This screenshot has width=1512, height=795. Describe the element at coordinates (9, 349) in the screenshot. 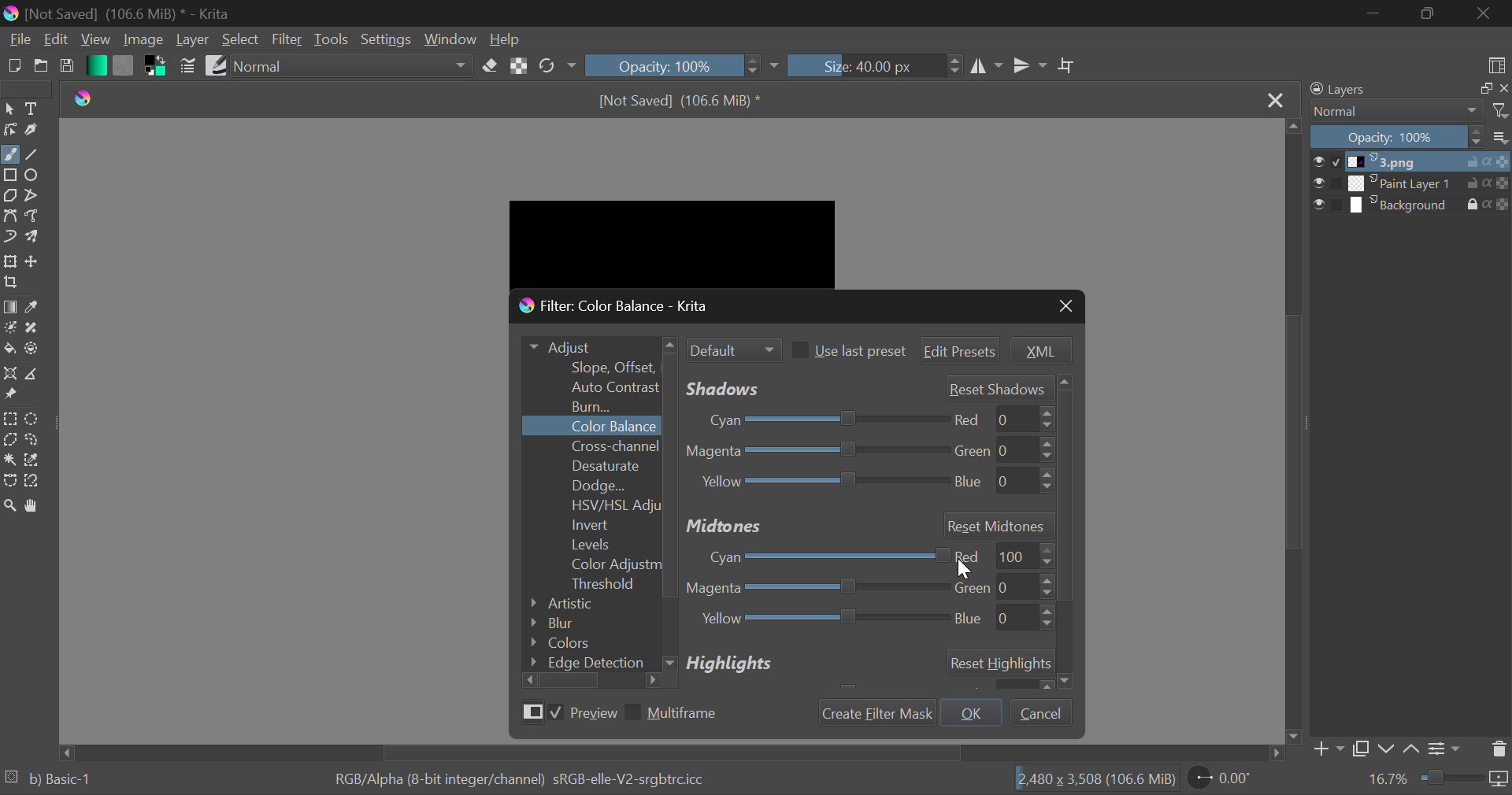

I see `Fill` at that location.